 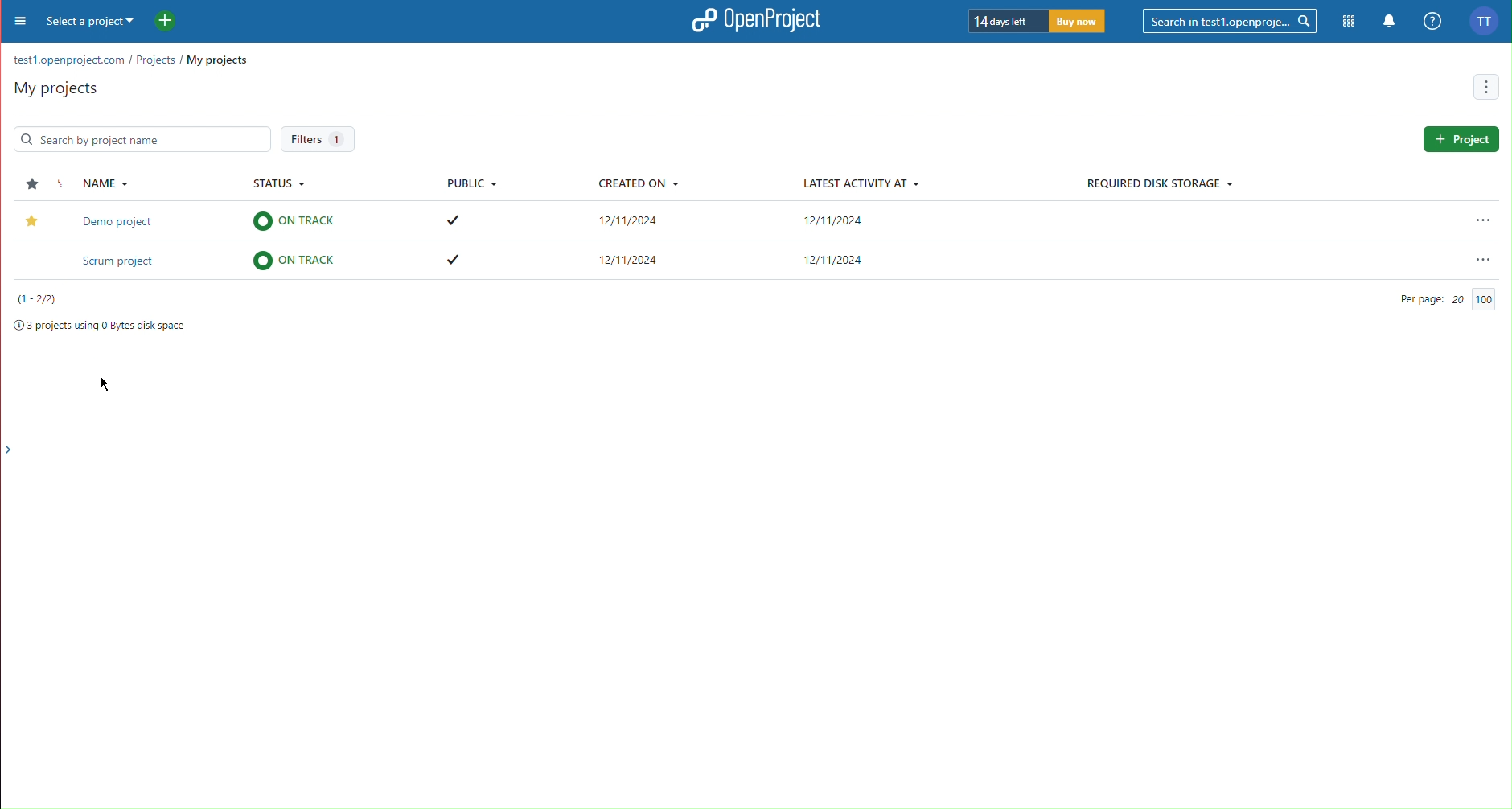 What do you see at coordinates (35, 220) in the screenshot?
I see `Starred` at bounding box center [35, 220].